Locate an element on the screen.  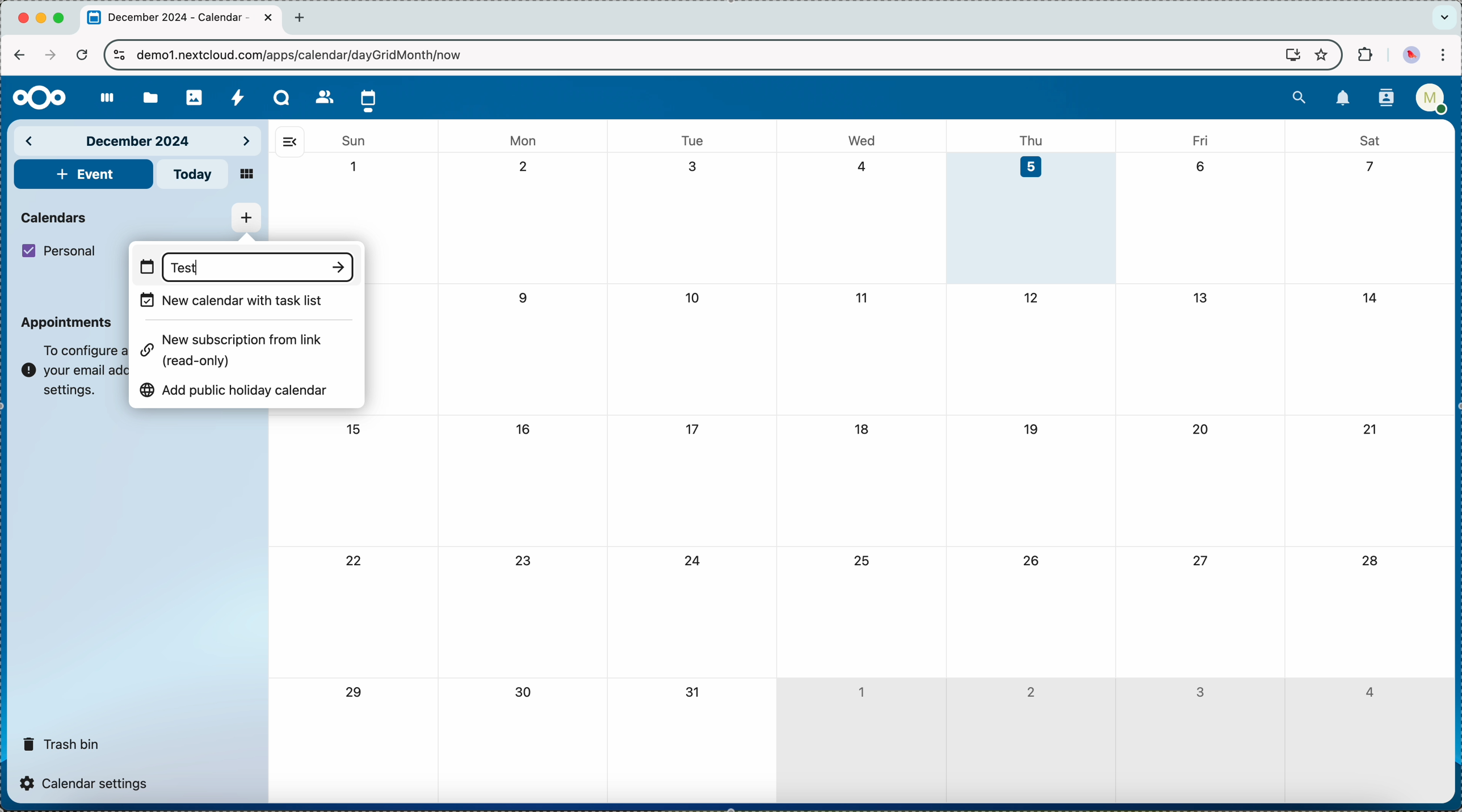
user profile is located at coordinates (1431, 102).